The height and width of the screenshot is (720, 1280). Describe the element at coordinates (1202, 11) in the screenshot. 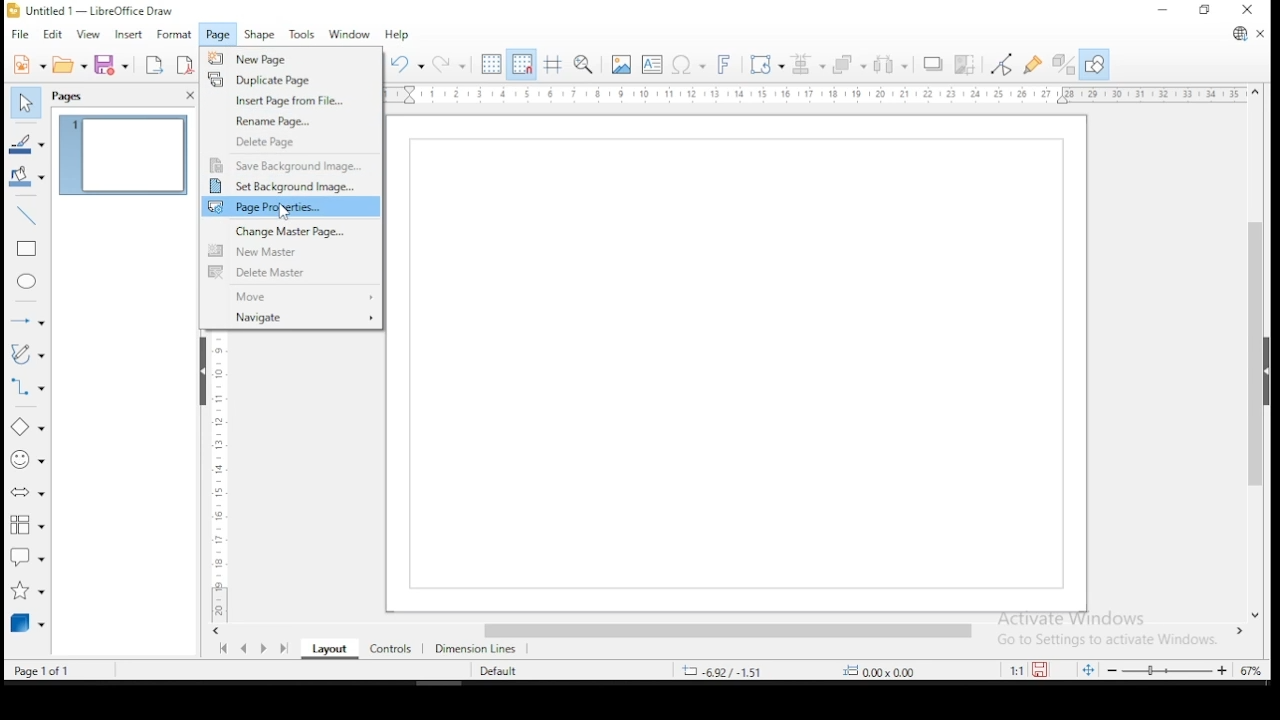

I see `restore` at that location.